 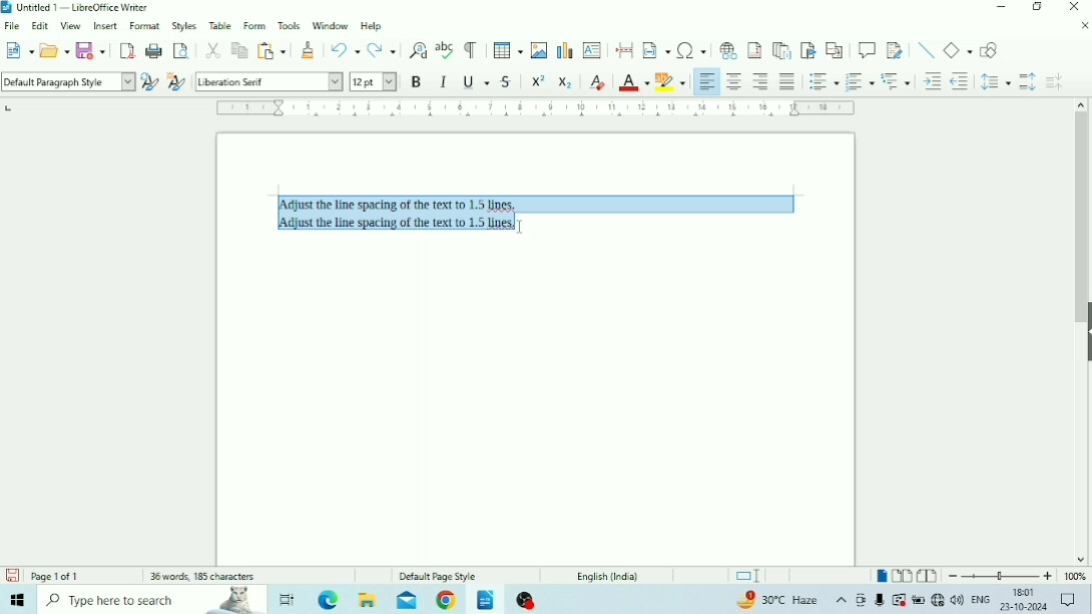 I want to click on Toggle Unordered List, so click(x=822, y=79).